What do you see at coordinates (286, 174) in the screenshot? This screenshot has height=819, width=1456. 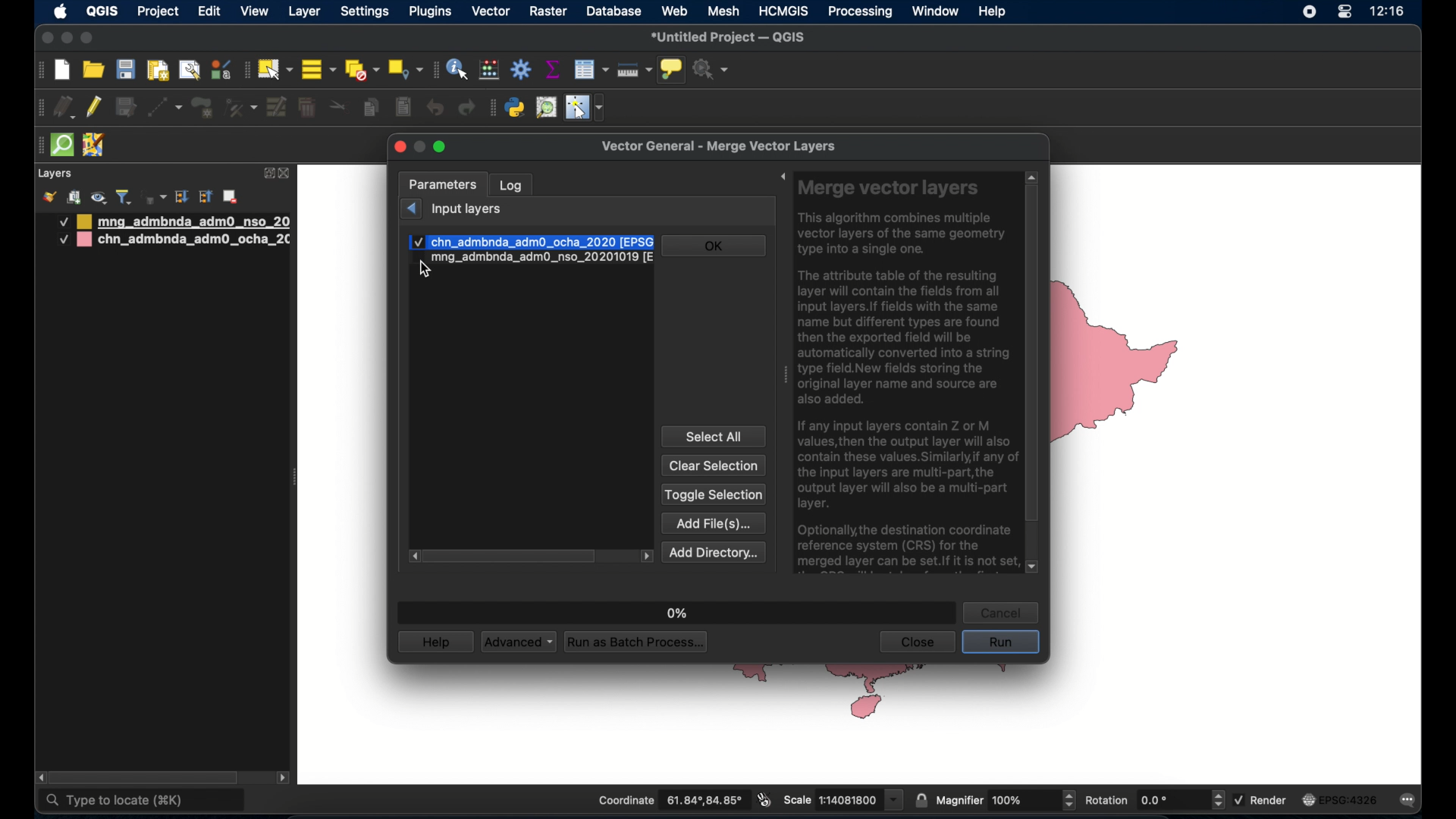 I see `close` at bounding box center [286, 174].